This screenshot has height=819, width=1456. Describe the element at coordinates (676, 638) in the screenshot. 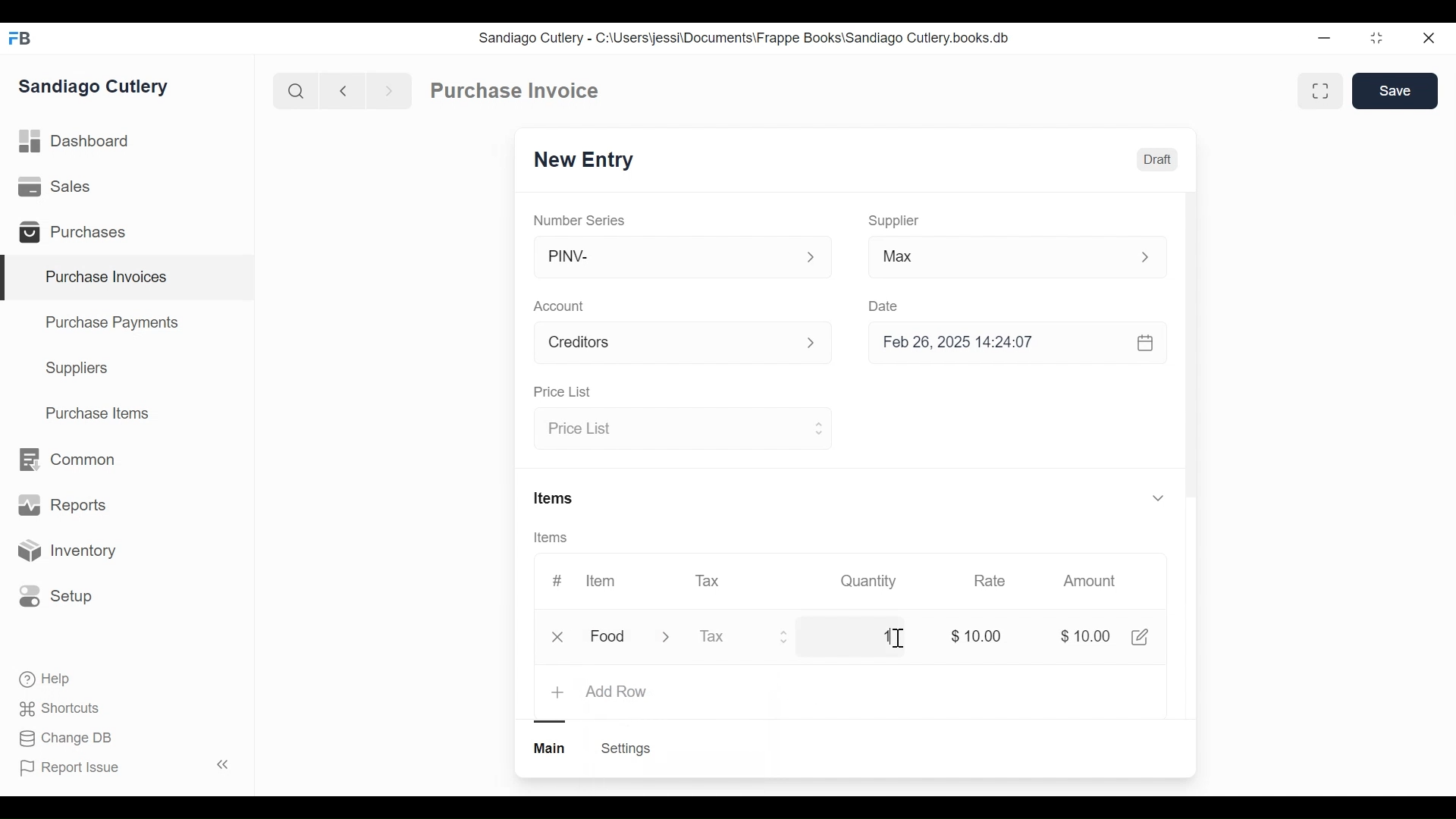

I see `Expand` at that location.